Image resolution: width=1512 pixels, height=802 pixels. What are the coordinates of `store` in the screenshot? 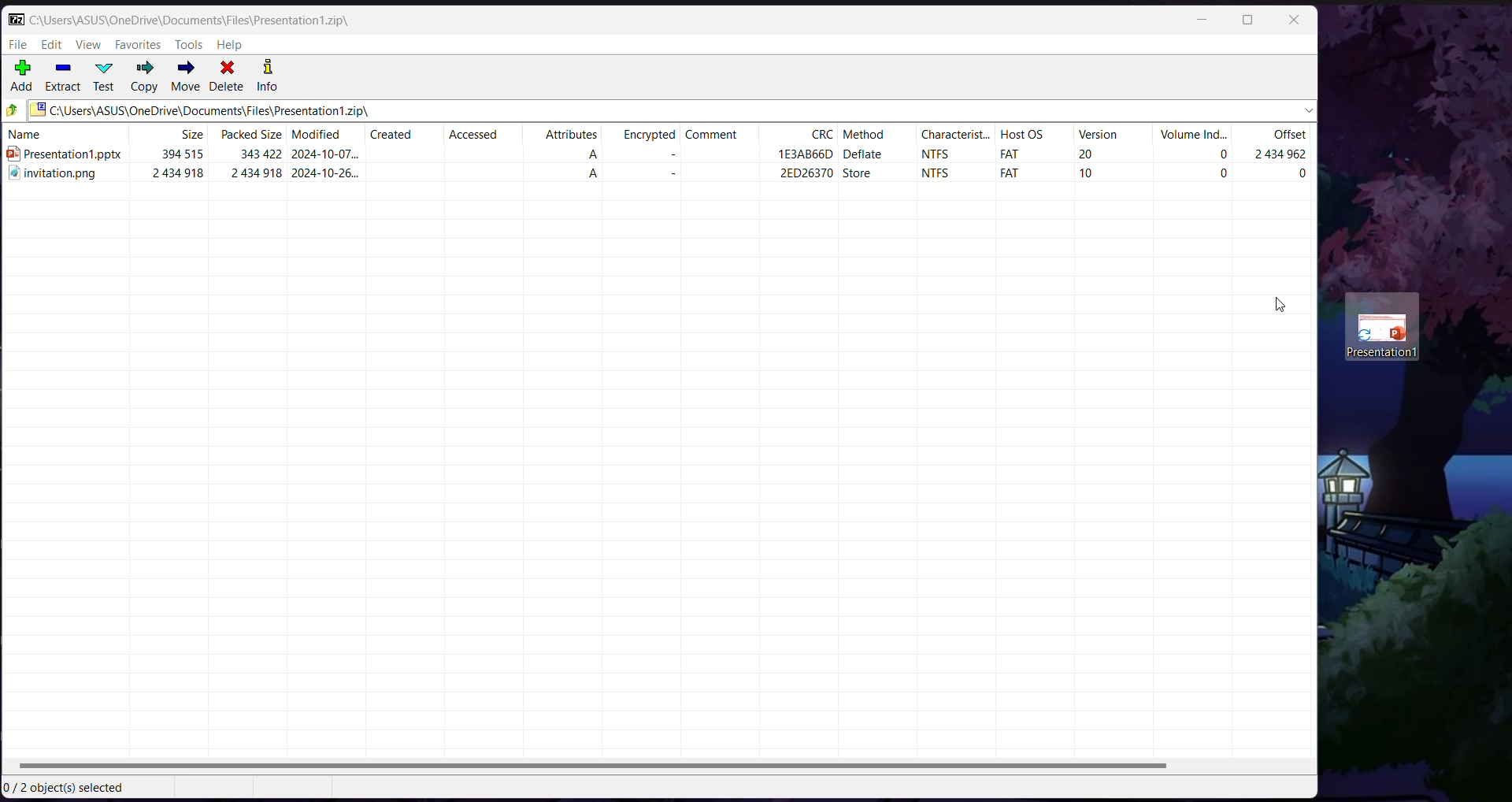 It's located at (864, 176).